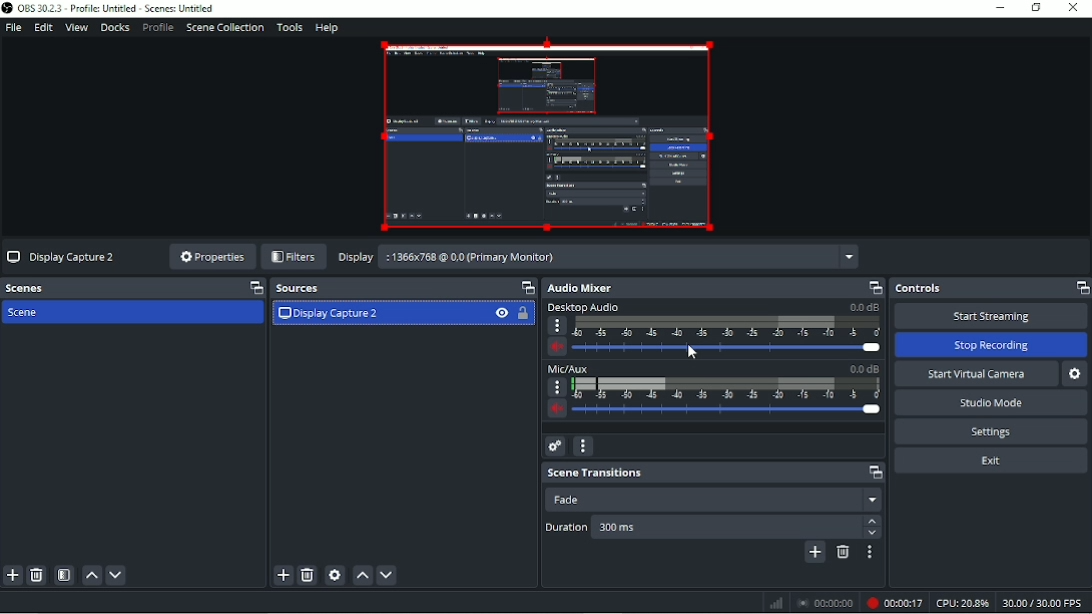  I want to click on CPU:22.6%, so click(961, 603).